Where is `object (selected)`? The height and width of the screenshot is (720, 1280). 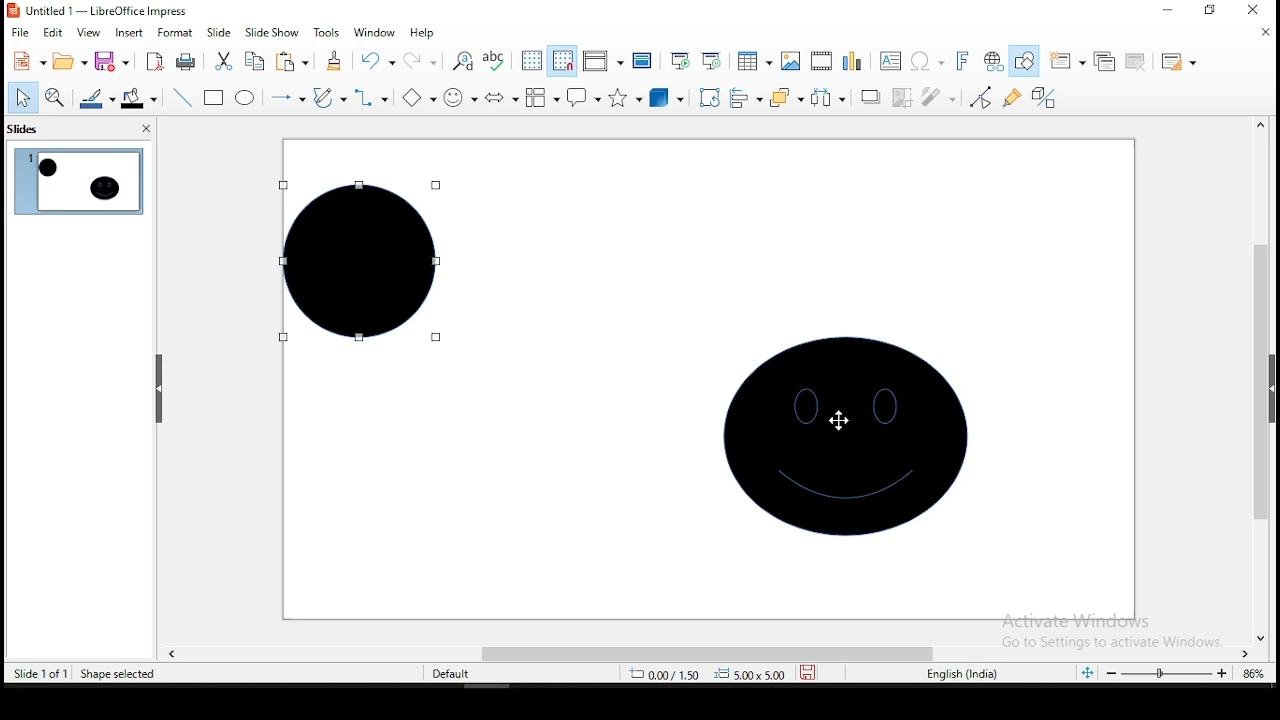
object (selected) is located at coordinates (356, 262).